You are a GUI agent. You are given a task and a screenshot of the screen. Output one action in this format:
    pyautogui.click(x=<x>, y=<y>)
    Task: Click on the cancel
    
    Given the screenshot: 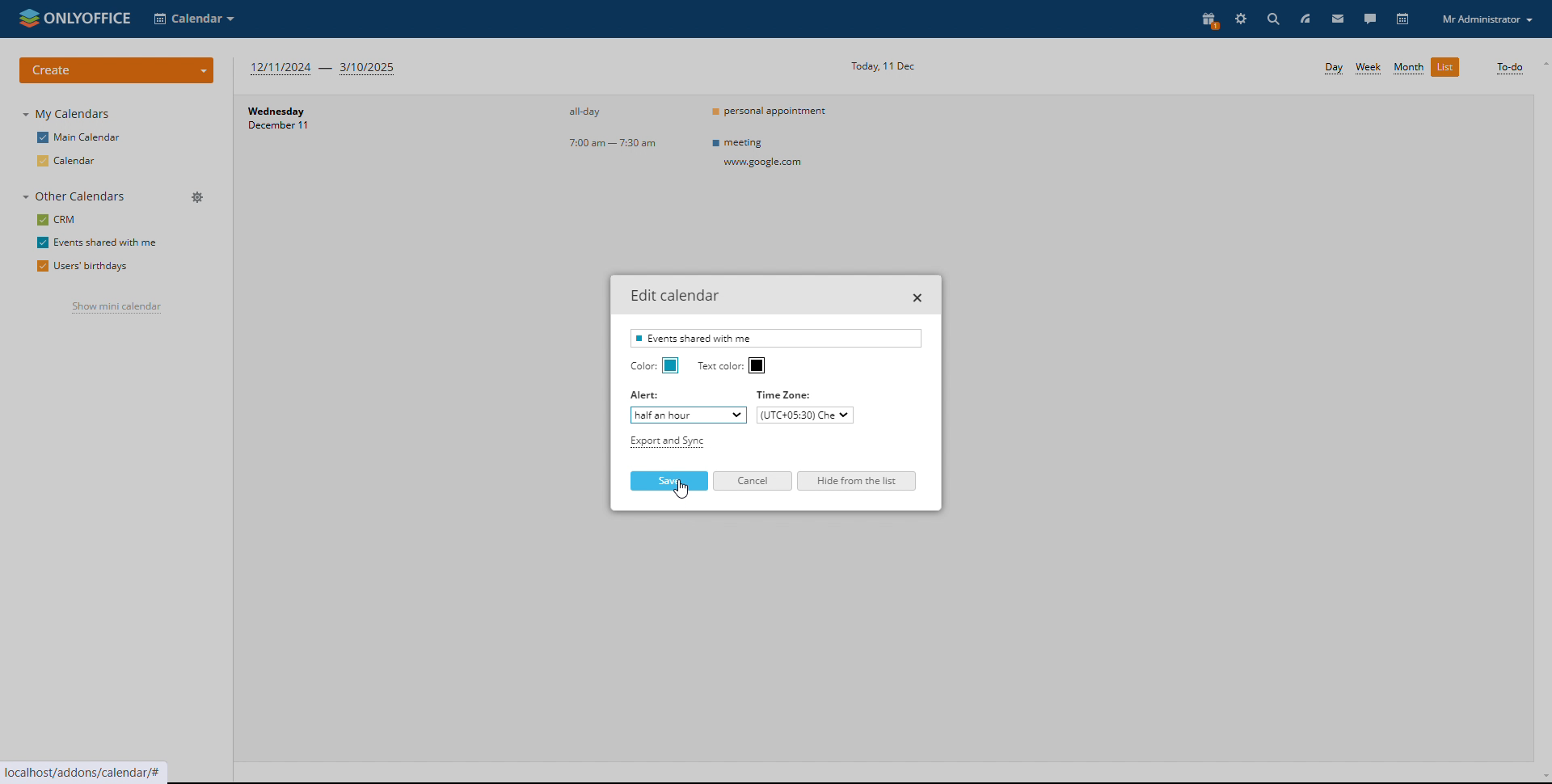 What is the action you would take?
    pyautogui.click(x=753, y=481)
    